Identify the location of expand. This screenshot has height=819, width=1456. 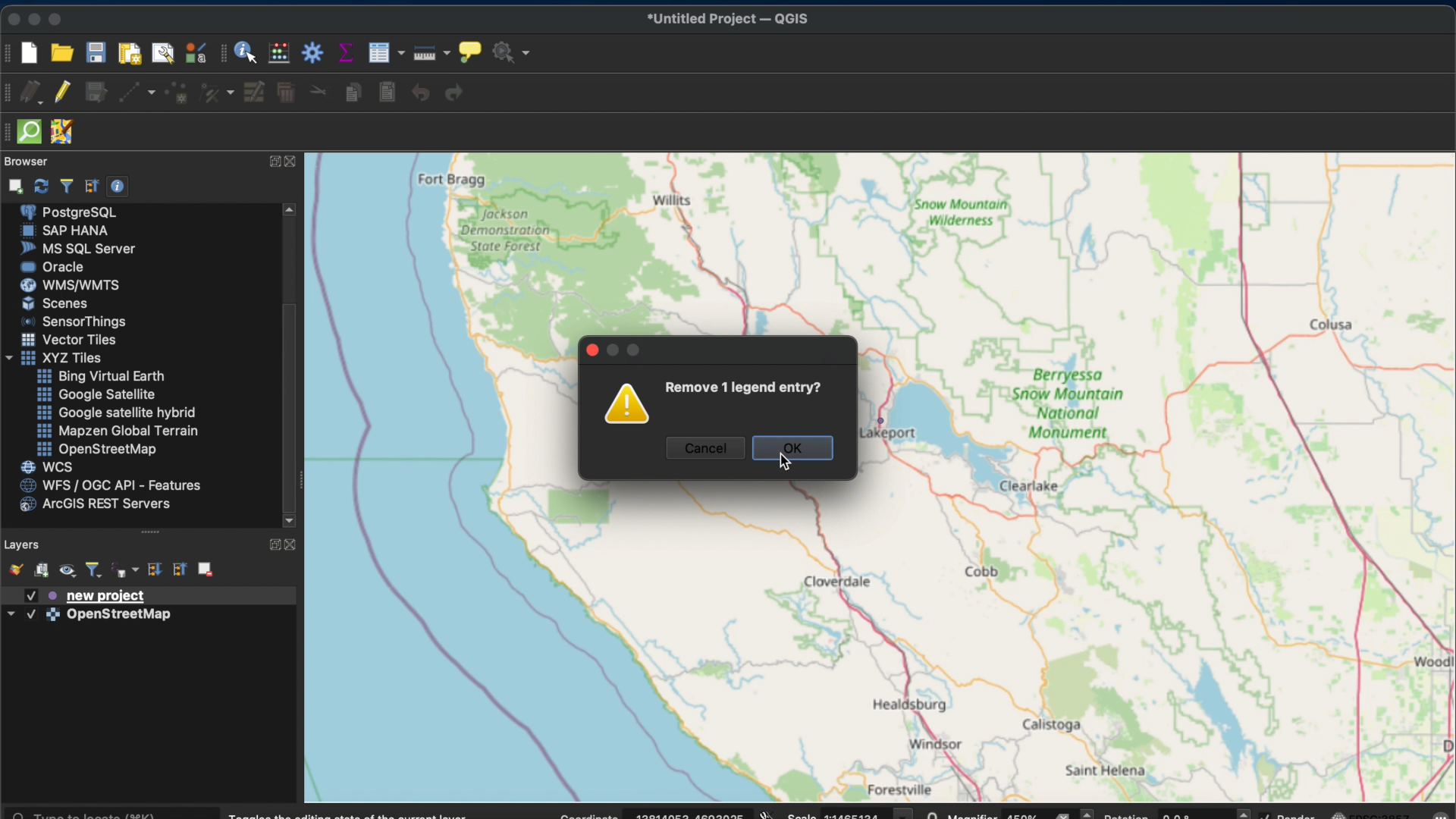
(272, 544).